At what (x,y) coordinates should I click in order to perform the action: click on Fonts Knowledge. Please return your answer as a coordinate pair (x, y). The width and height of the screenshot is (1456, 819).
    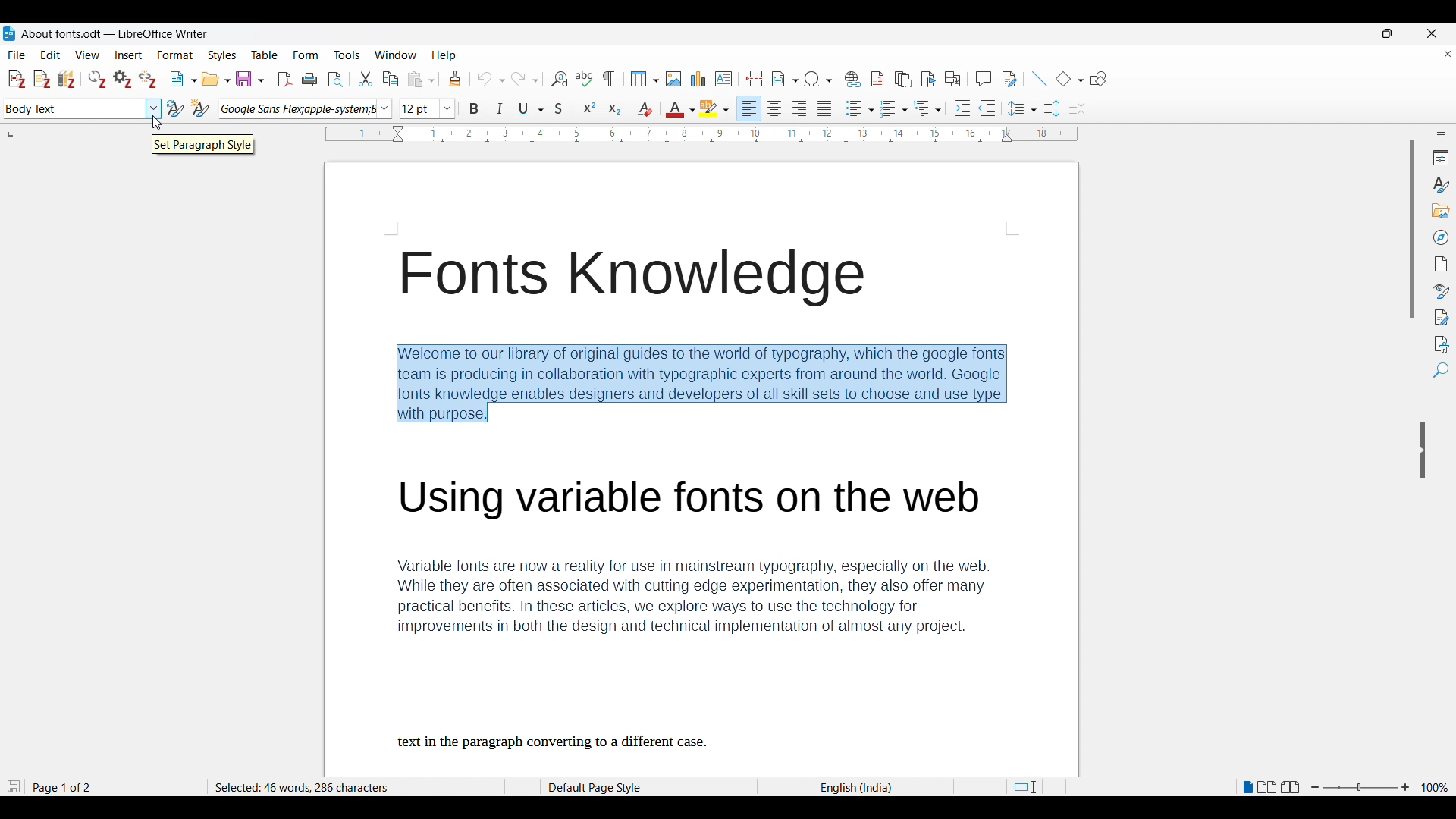
    Looking at the image, I should click on (631, 277).